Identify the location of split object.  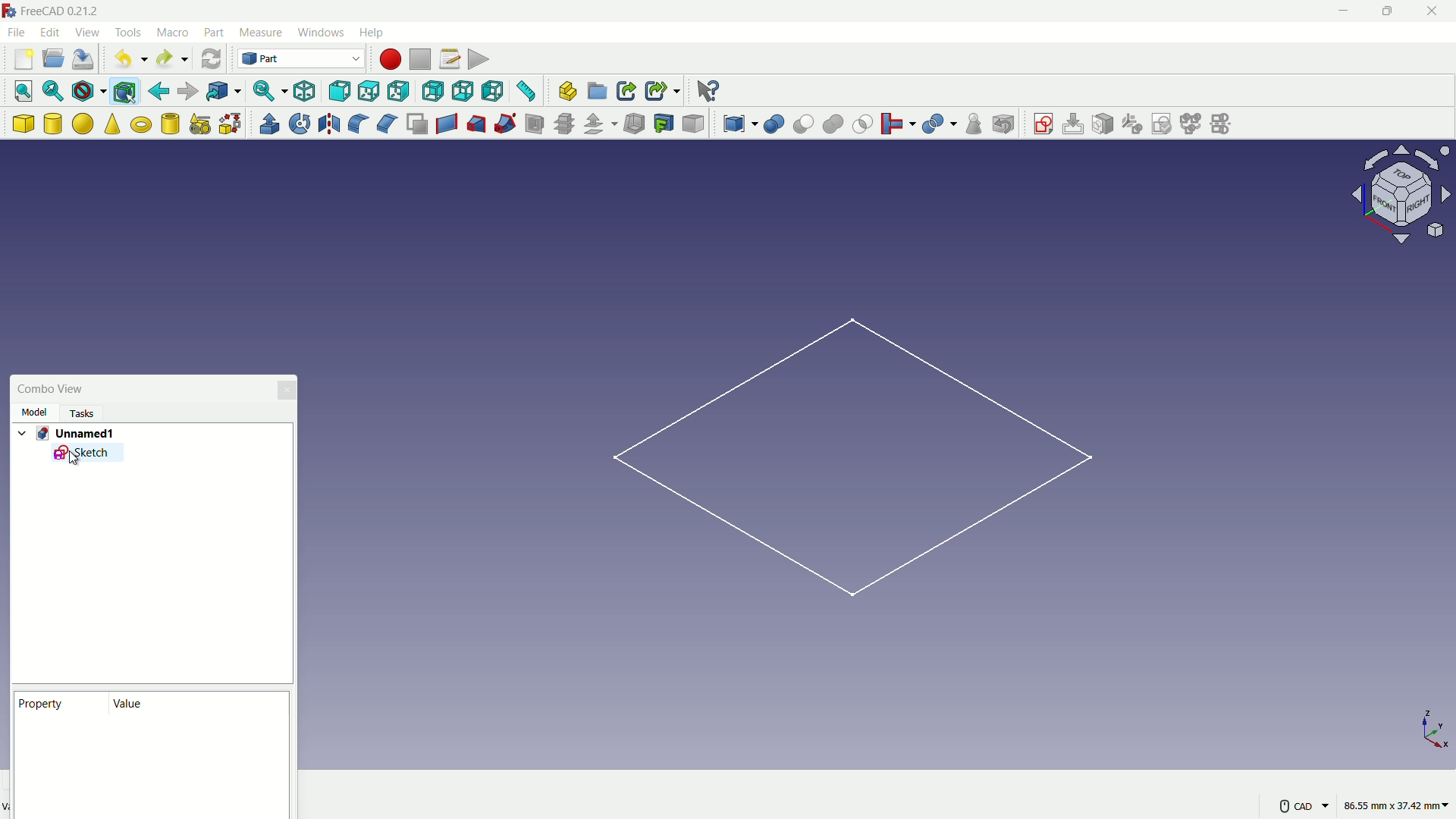
(940, 122).